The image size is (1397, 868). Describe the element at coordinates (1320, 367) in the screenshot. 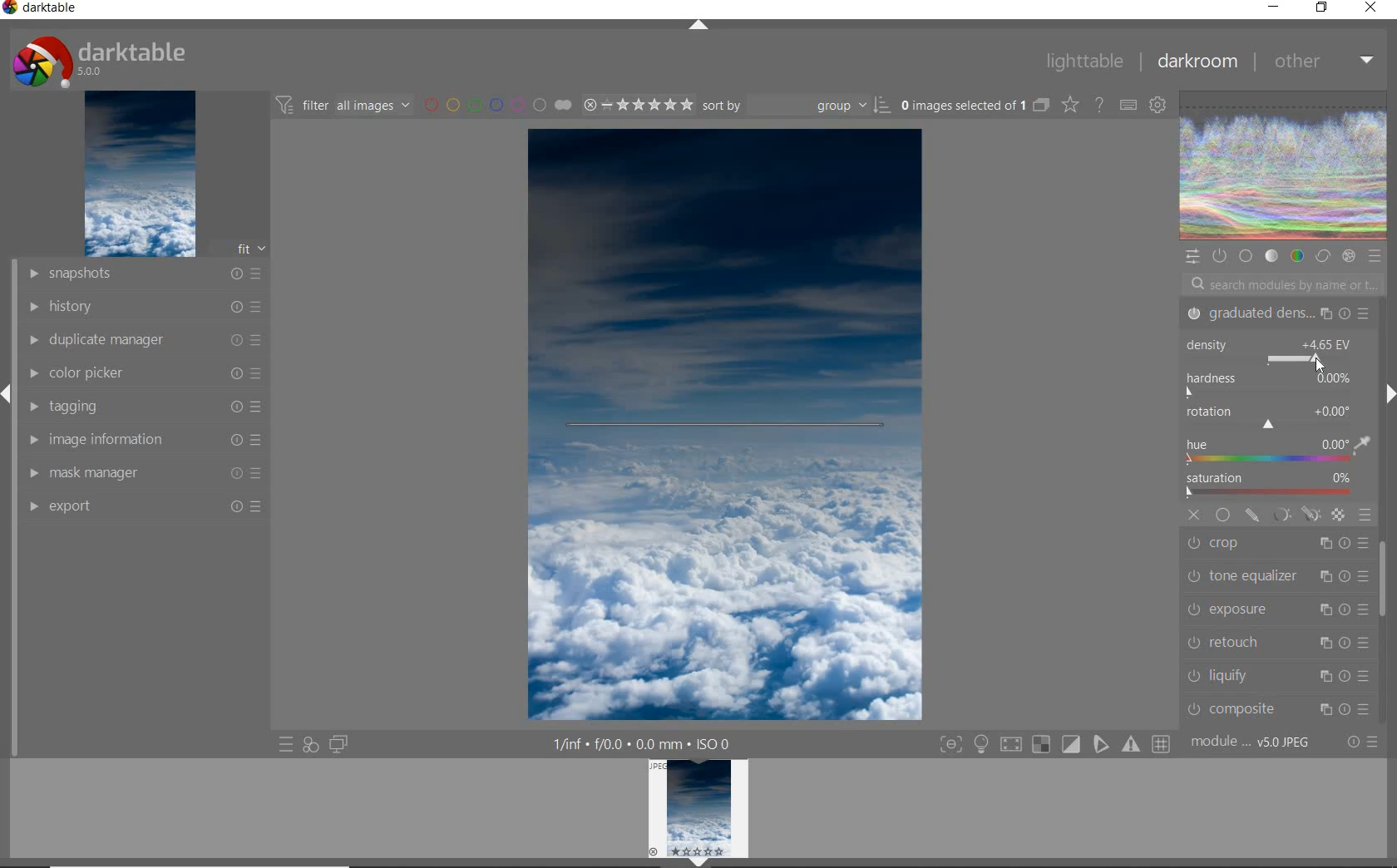

I see `cursor ` at that location.